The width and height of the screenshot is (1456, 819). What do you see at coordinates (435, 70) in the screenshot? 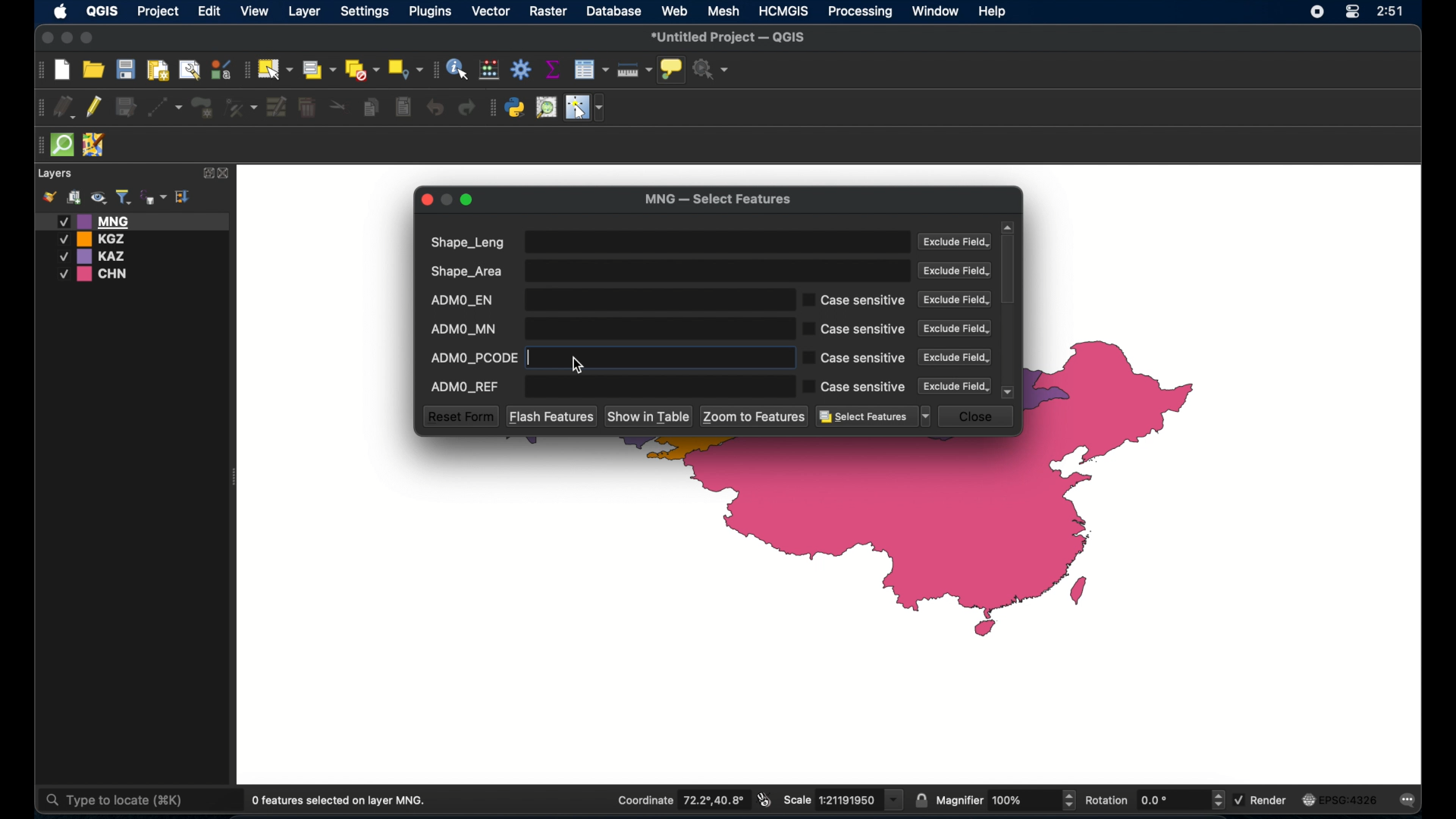
I see `attributes toolbar` at bounding box center [435, 70].